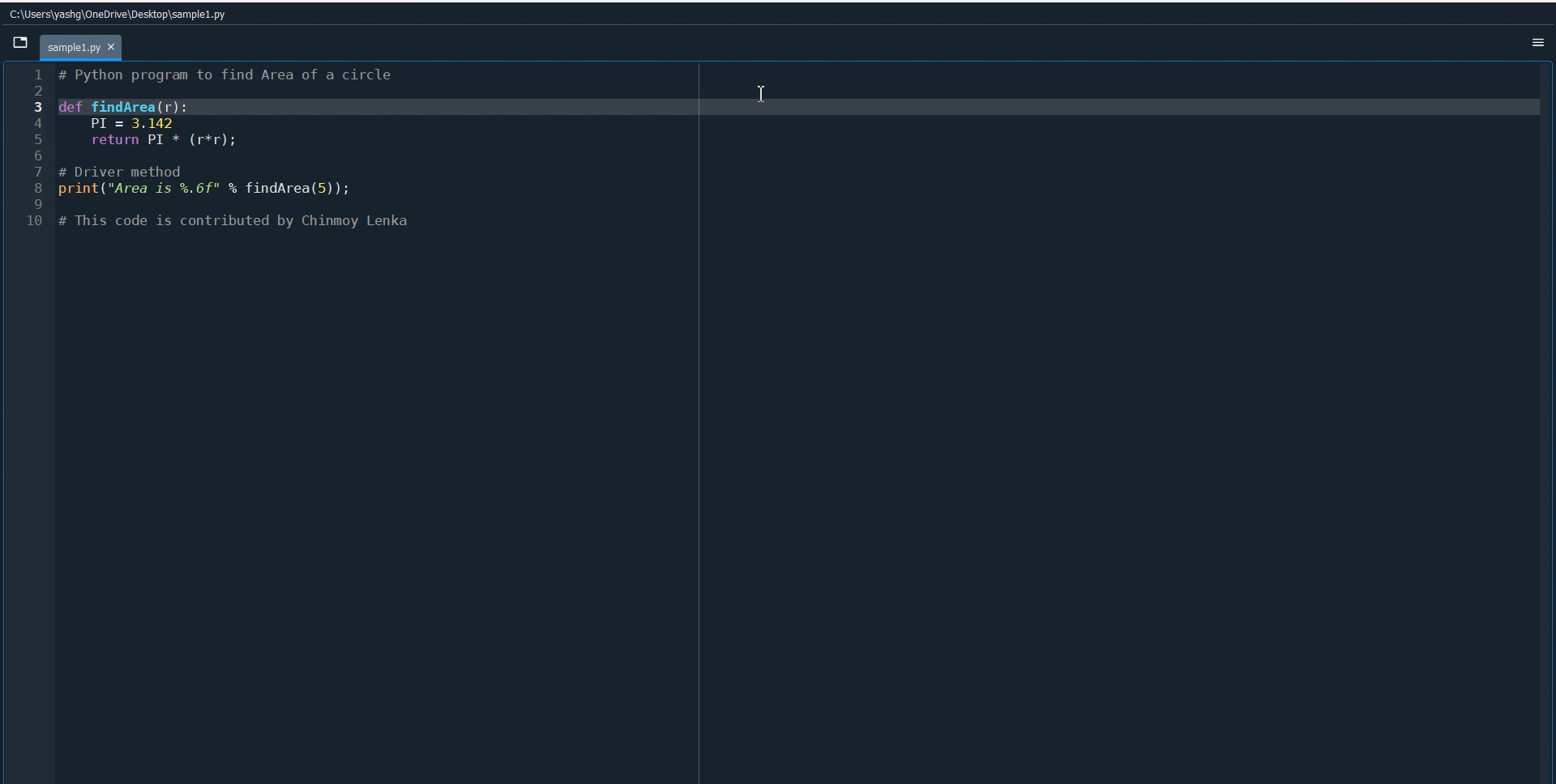  I want to click on Insertion cursor, so click(757, 93).